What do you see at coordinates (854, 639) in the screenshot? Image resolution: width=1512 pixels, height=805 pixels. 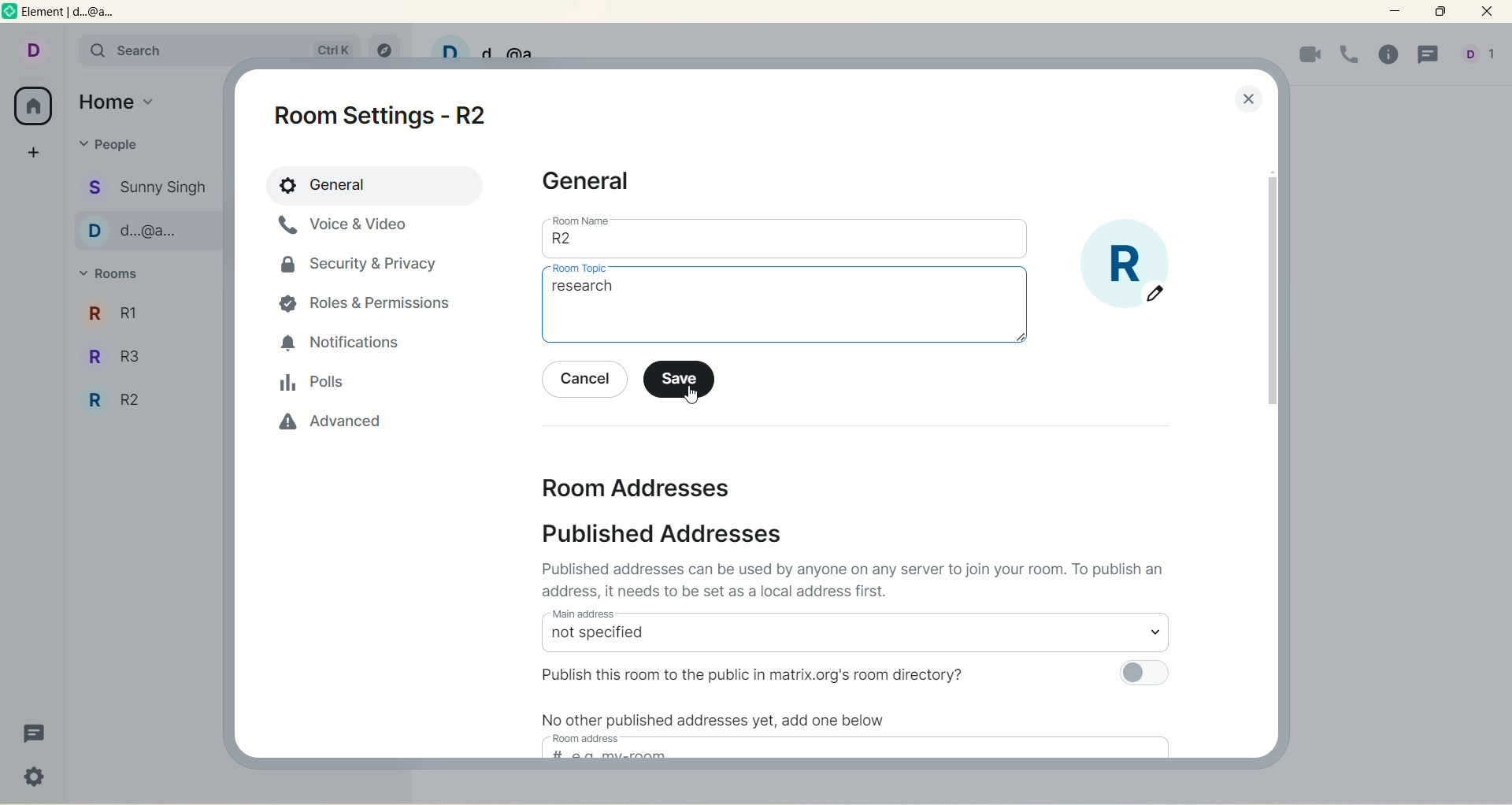 I see `select main address` at bounding box center [854, 639].